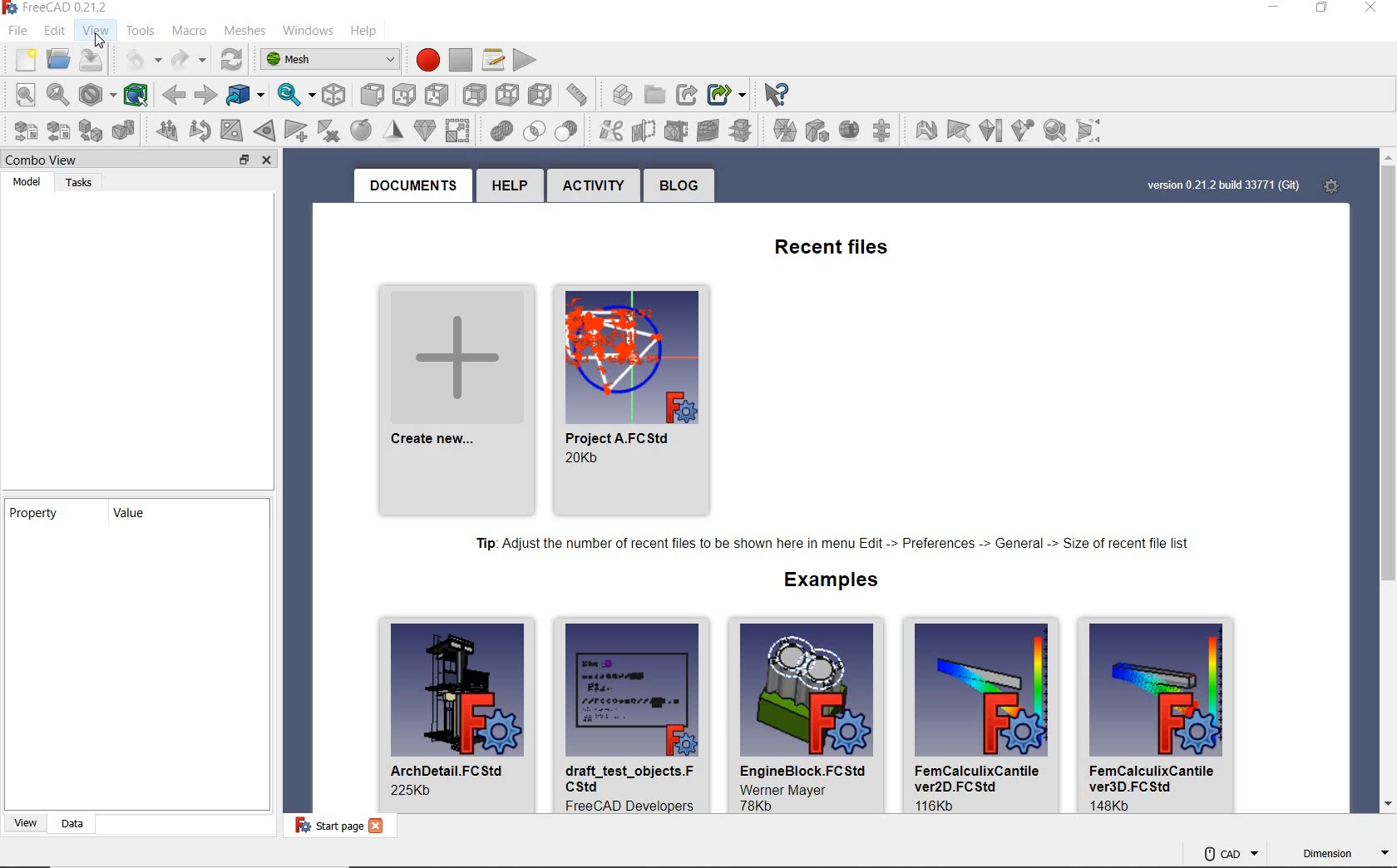  I want to click on evaluate and repair mesh, so click(884, 130).